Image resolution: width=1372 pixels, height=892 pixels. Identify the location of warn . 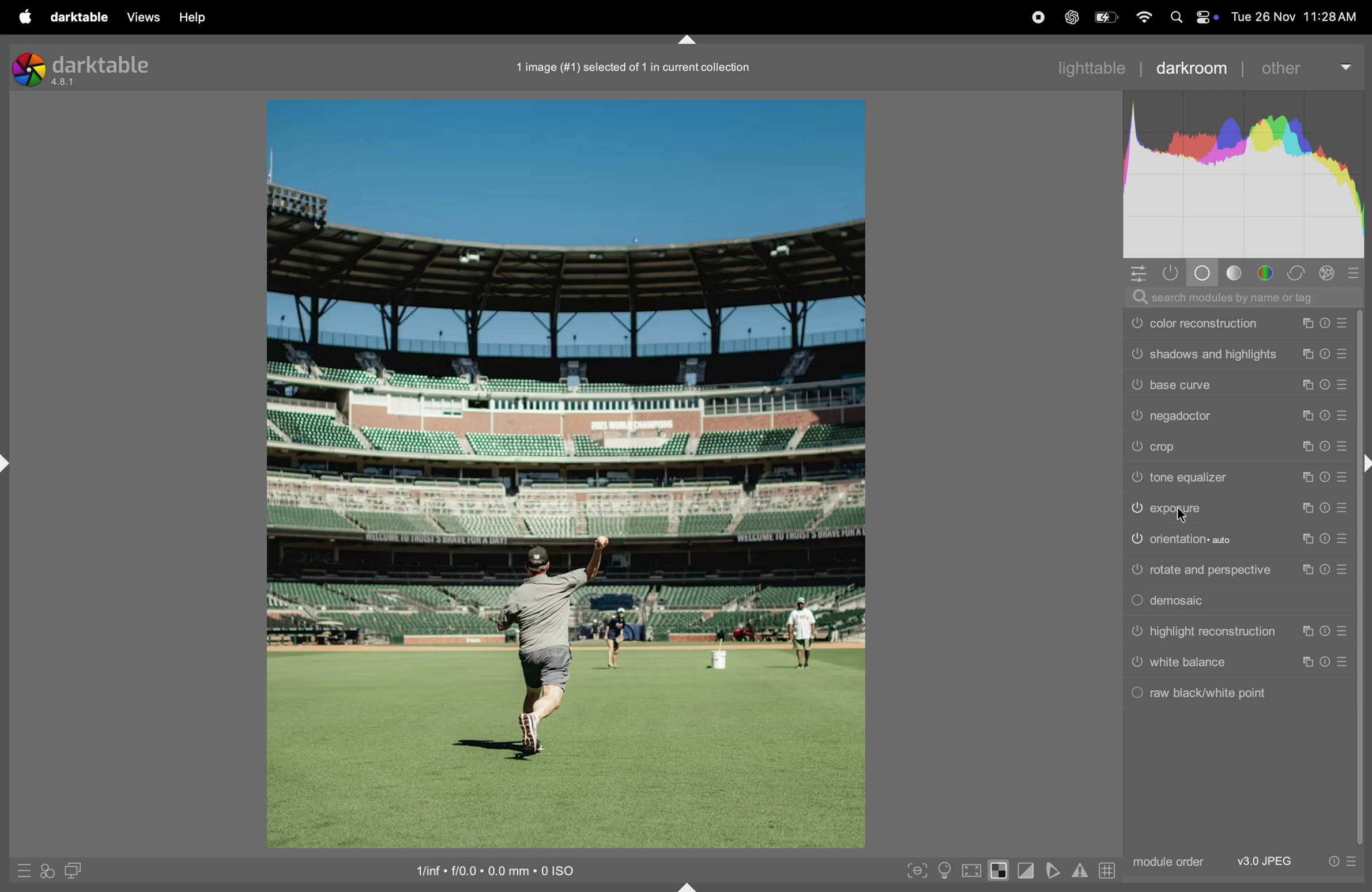
(1080, 871).